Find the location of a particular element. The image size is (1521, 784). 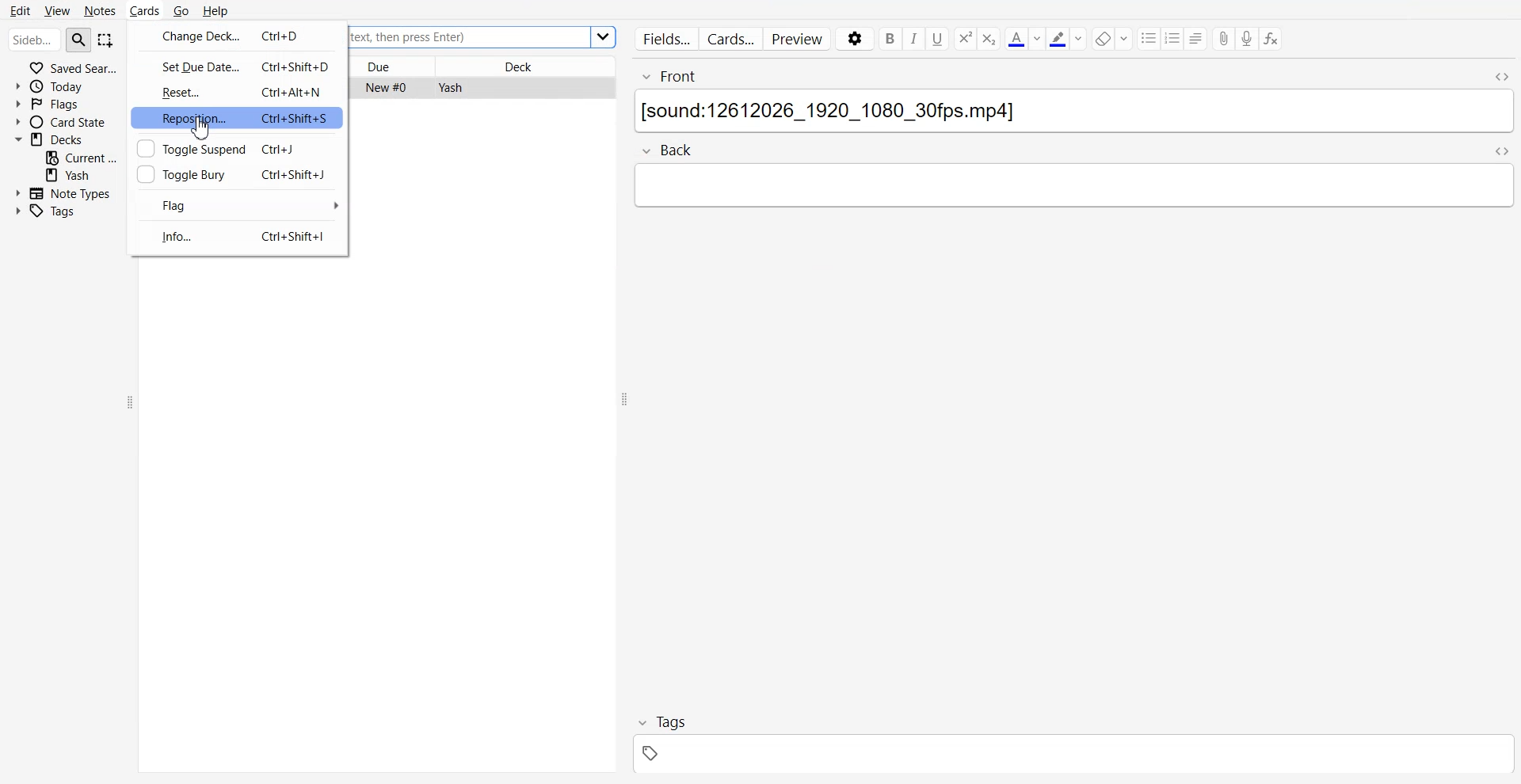

Notes is located at coordinates (100, 10).